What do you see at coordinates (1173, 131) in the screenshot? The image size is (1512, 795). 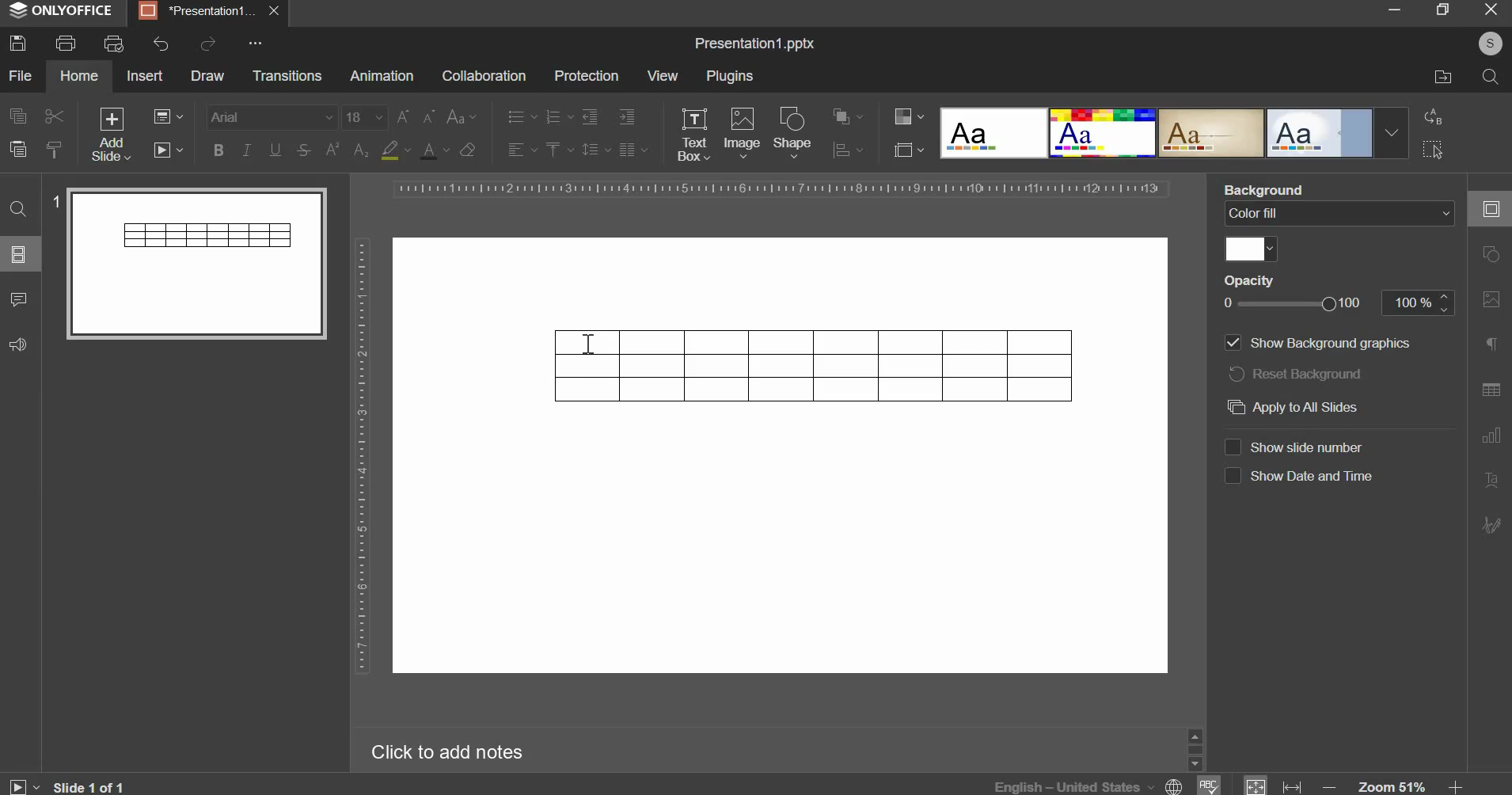 I see `design` at bounding box center [1173, 131].